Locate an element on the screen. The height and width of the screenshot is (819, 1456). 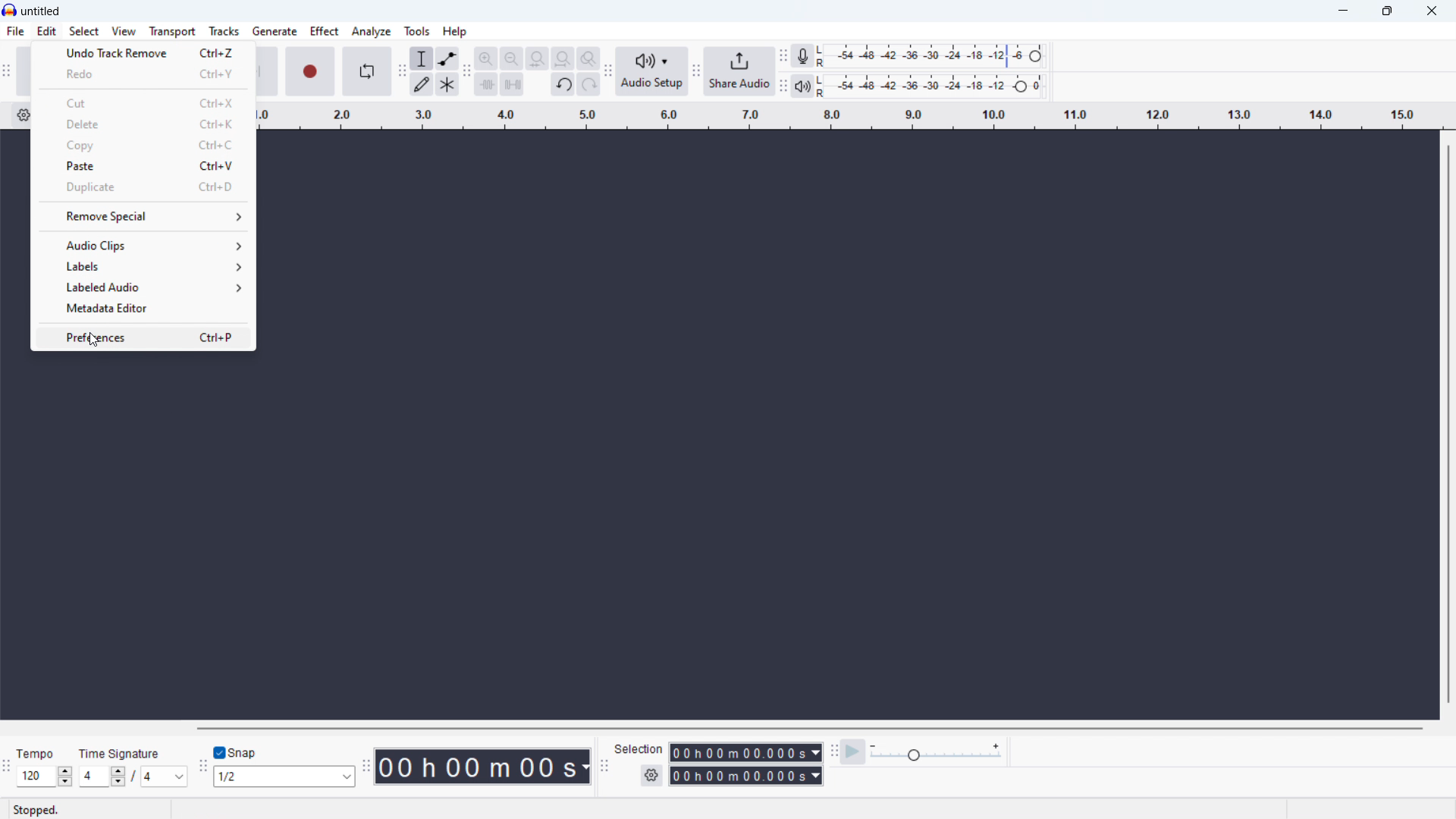
preferences is located at coordinates (143, 337).